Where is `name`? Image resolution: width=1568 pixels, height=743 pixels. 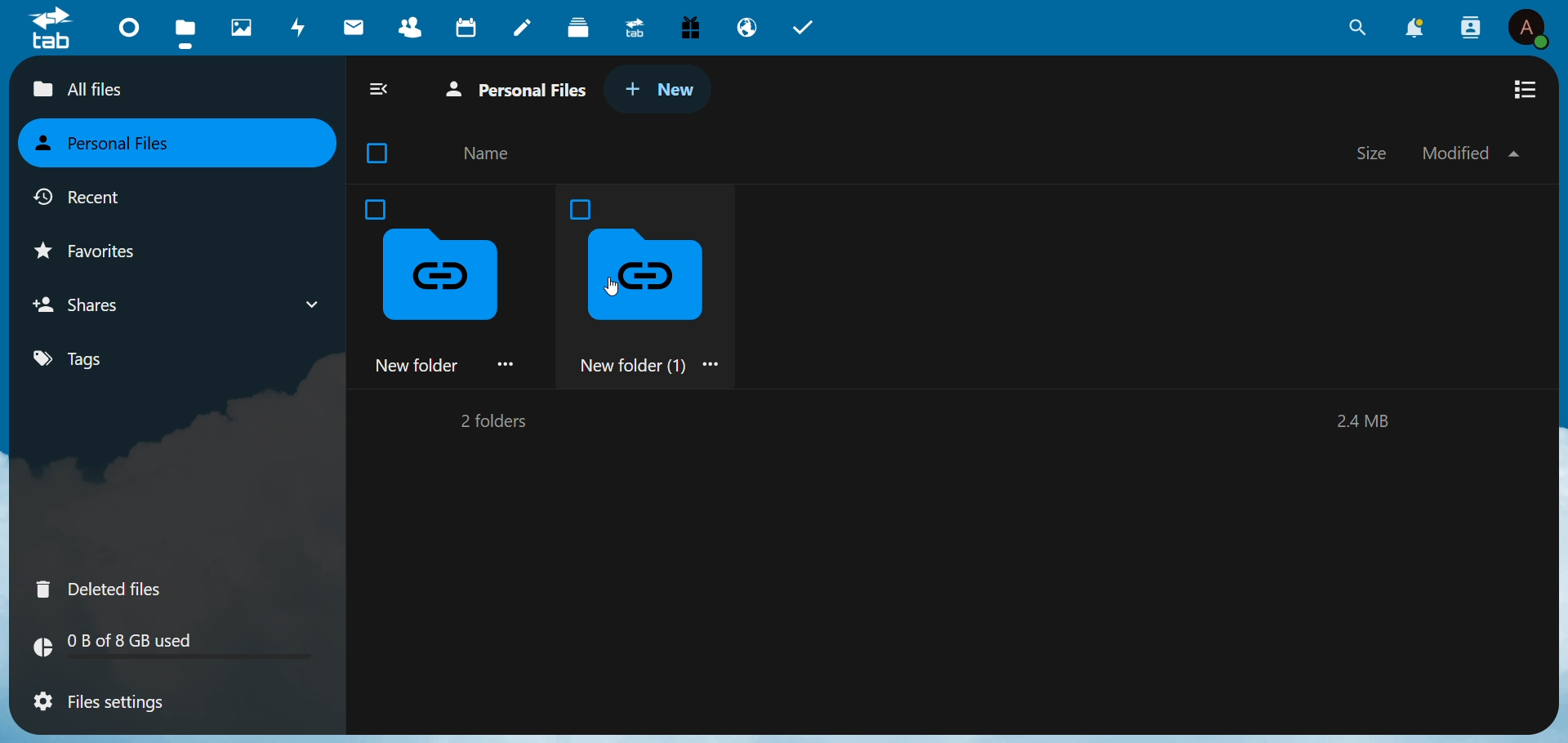
name is located at coordinates (489, 154).